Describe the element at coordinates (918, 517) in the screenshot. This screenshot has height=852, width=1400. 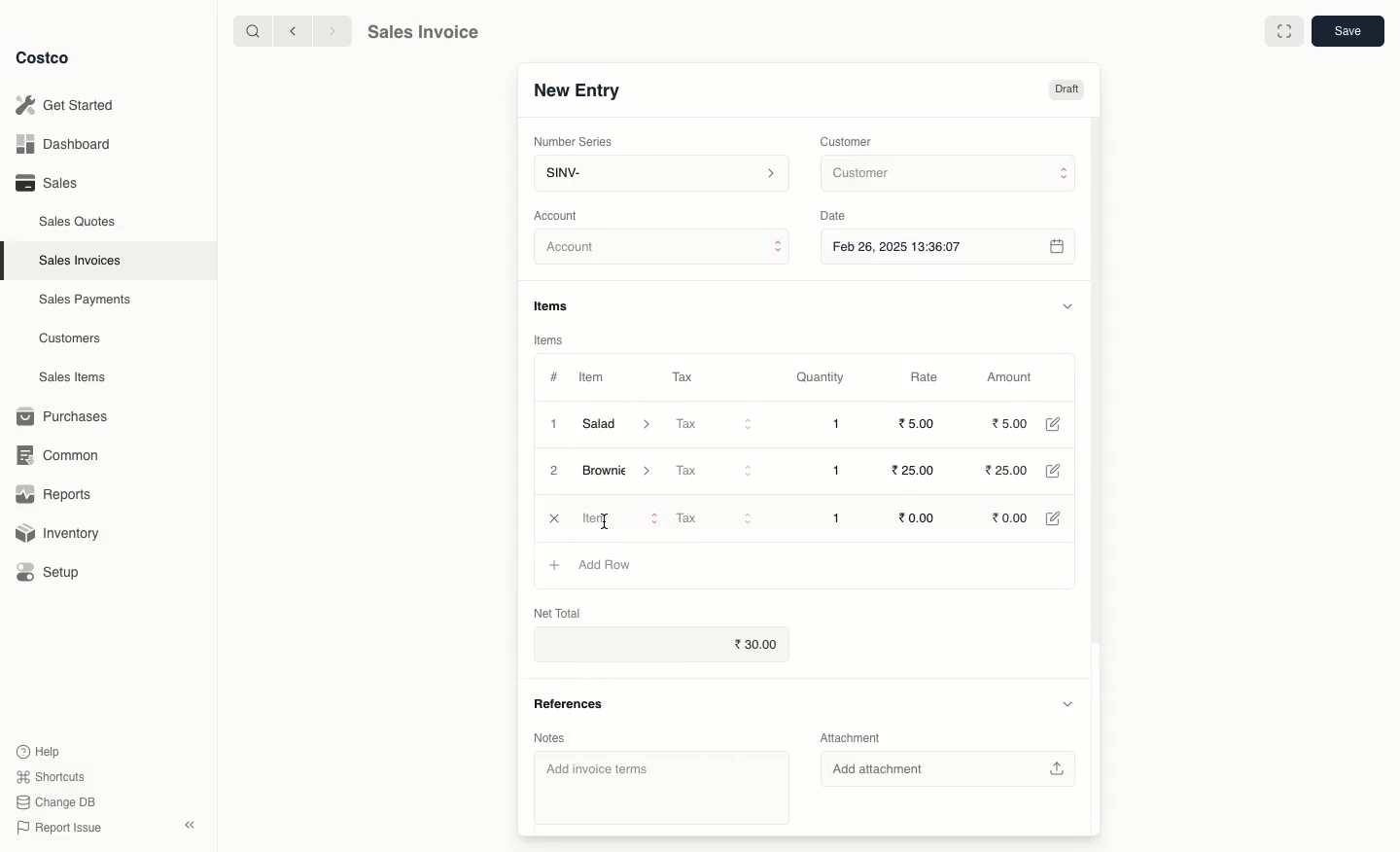
I see `0.00` at that location.